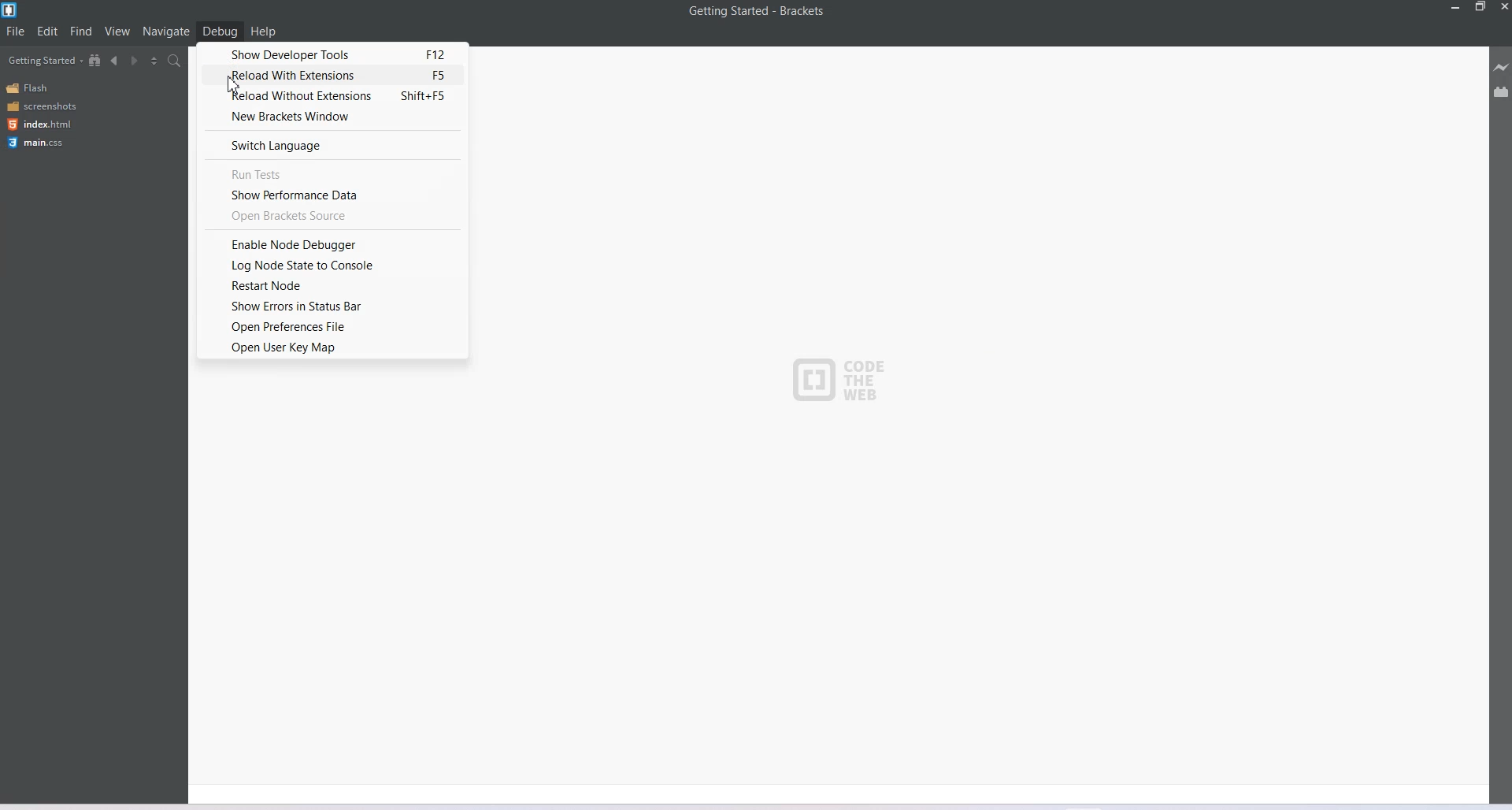  Describe the element at coordinates (154, 60) in the screenshot. I see `Split the editor vertically and Horizontally` at that location.